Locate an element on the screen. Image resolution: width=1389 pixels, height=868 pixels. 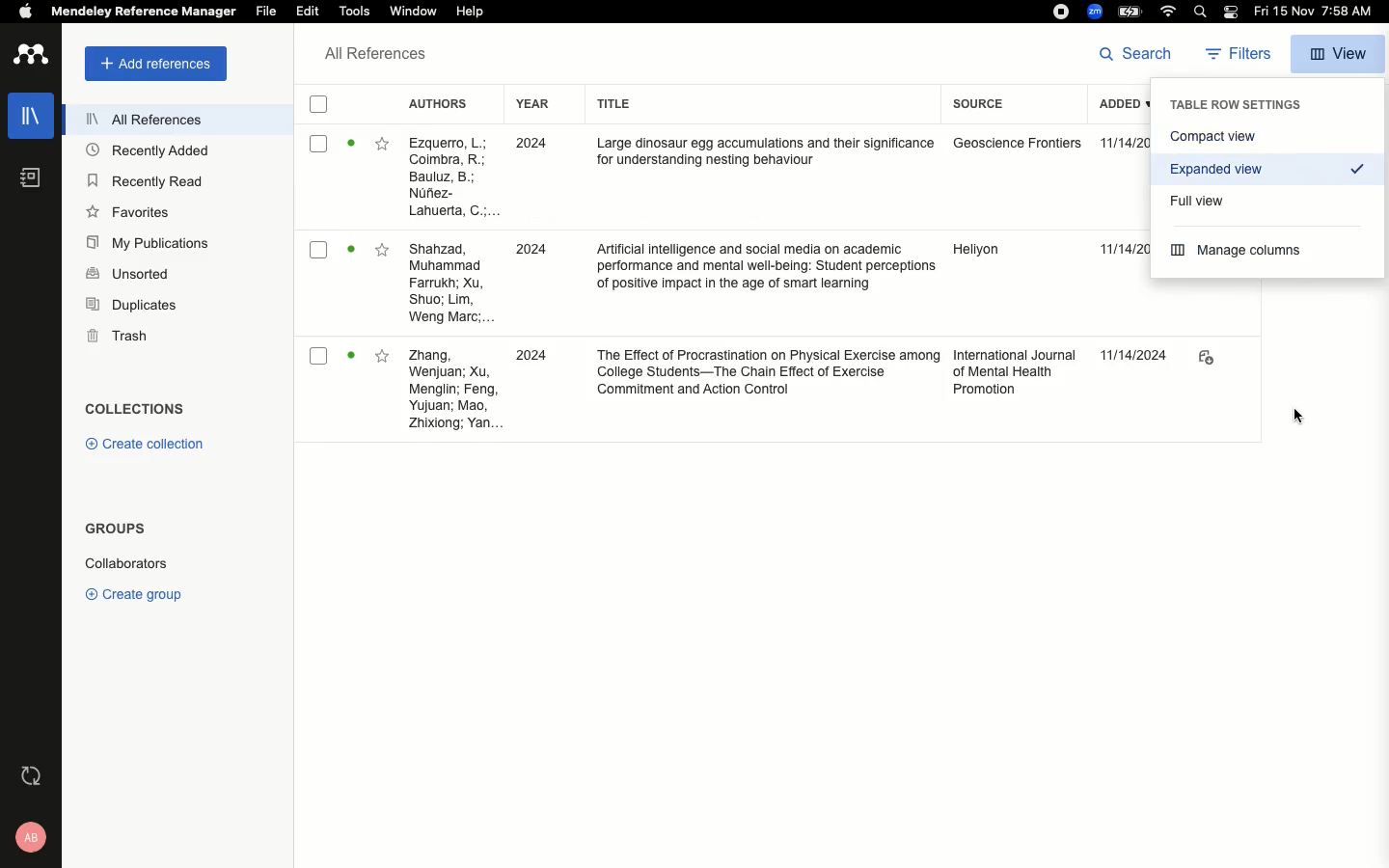
Active is located at coordinates (353, 354).